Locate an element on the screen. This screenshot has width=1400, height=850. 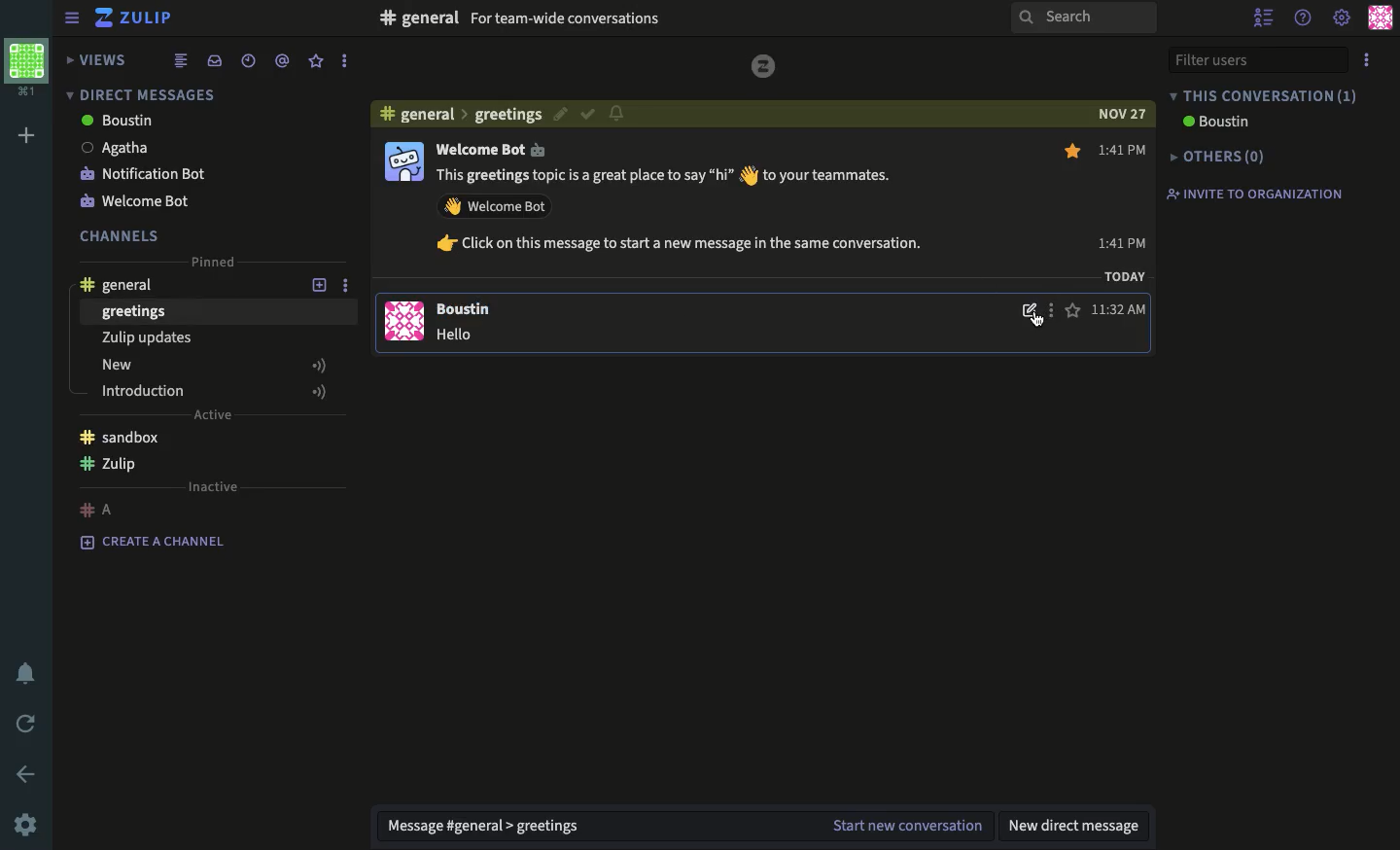
Hello is located at coordinates (461, 336).